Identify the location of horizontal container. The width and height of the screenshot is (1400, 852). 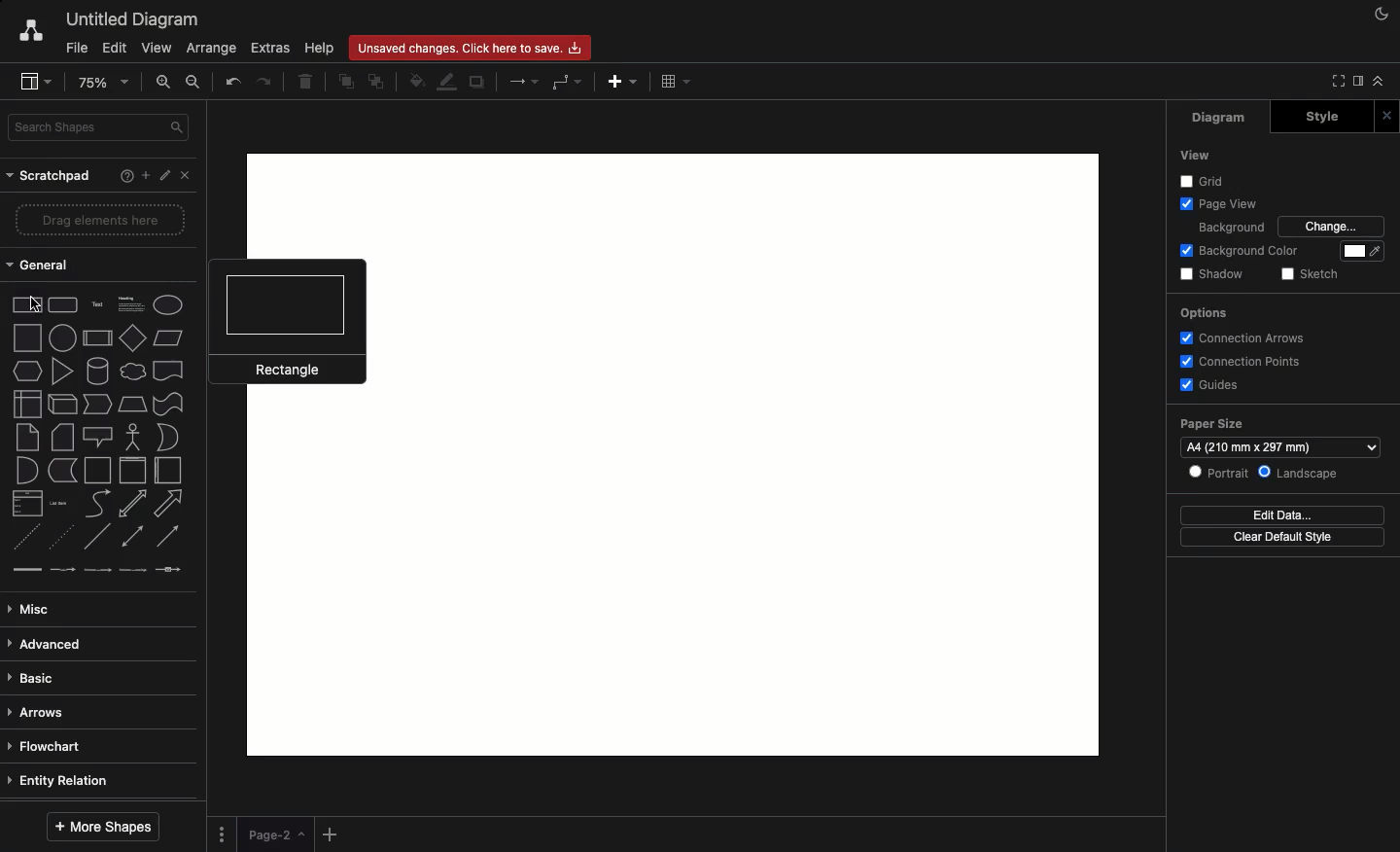
(172, 471).